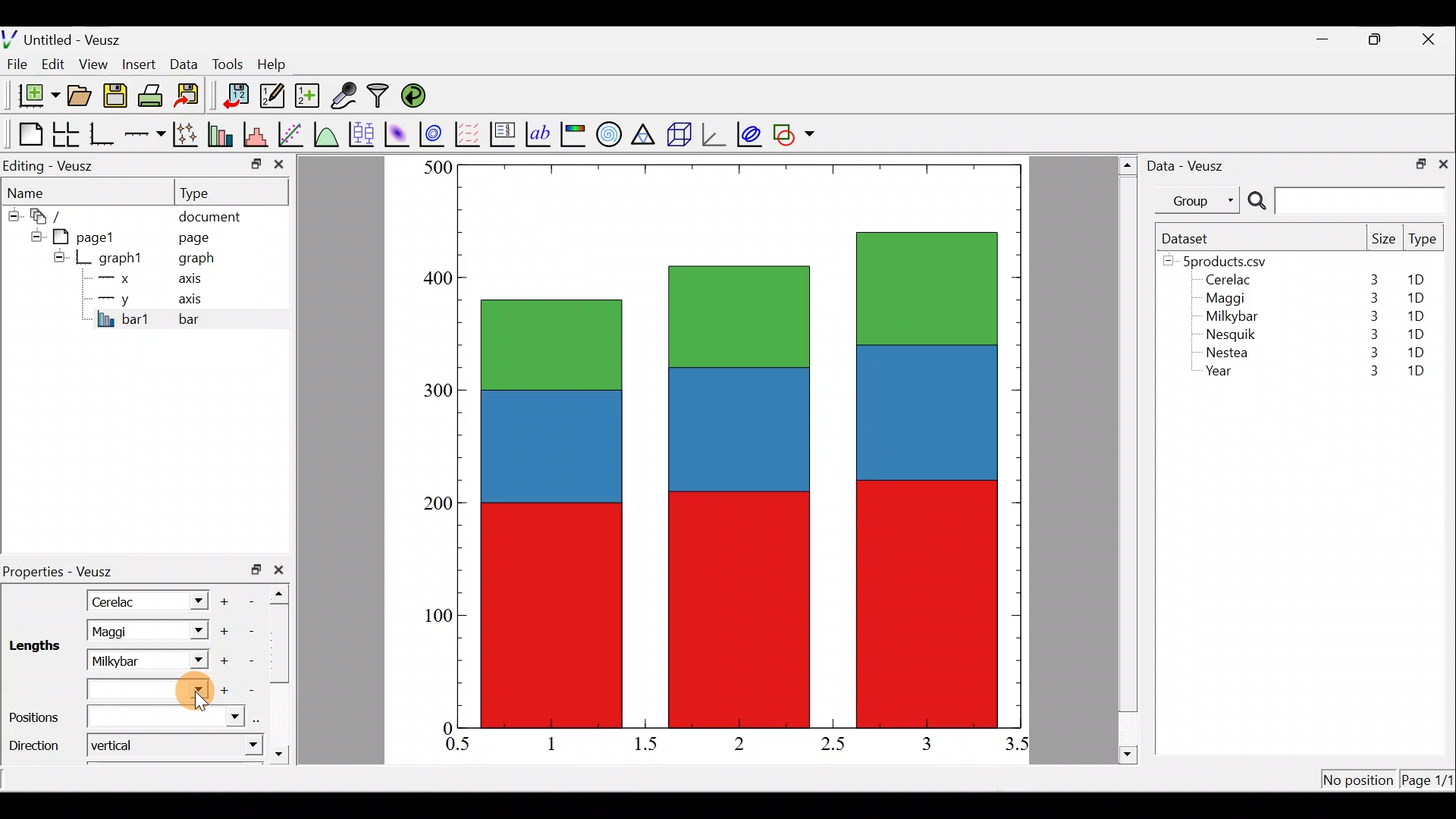 The height and width of the screenshot is (819, 1456). Describe the element at coordinates (645, 132) in the screenshot. I see `Ternary graph` at that location.